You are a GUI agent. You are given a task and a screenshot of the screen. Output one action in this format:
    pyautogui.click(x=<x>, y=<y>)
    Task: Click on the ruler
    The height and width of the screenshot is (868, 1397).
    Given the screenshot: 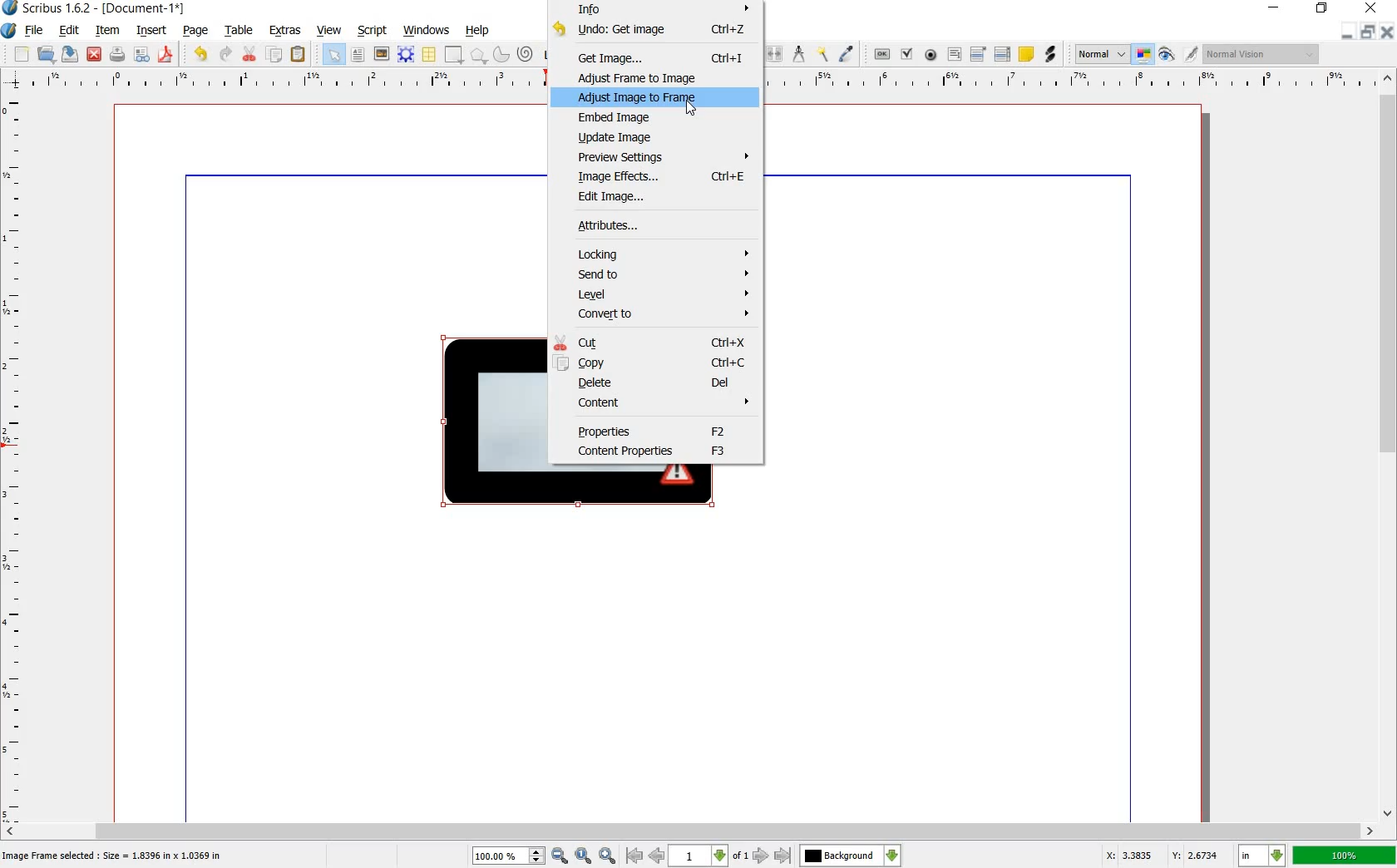 What is the action you would take?
    pyautogui.click(x=700, y=81)
    